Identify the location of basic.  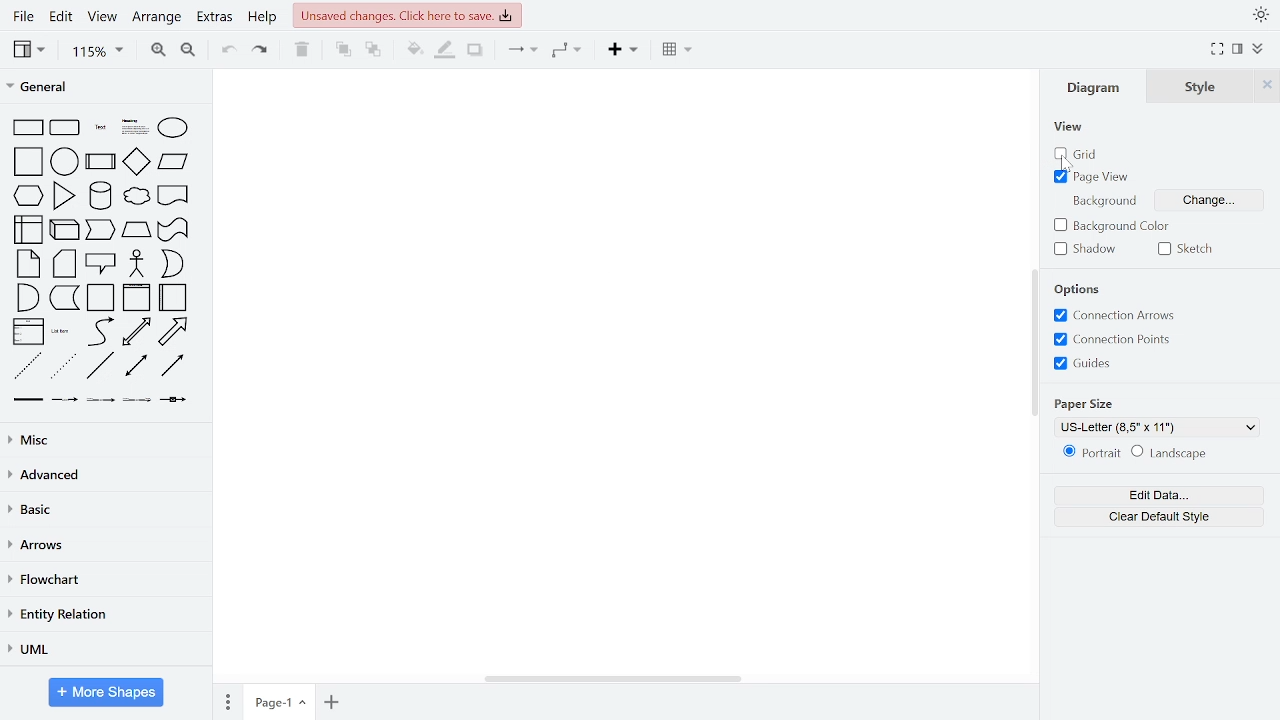
(102, 509).